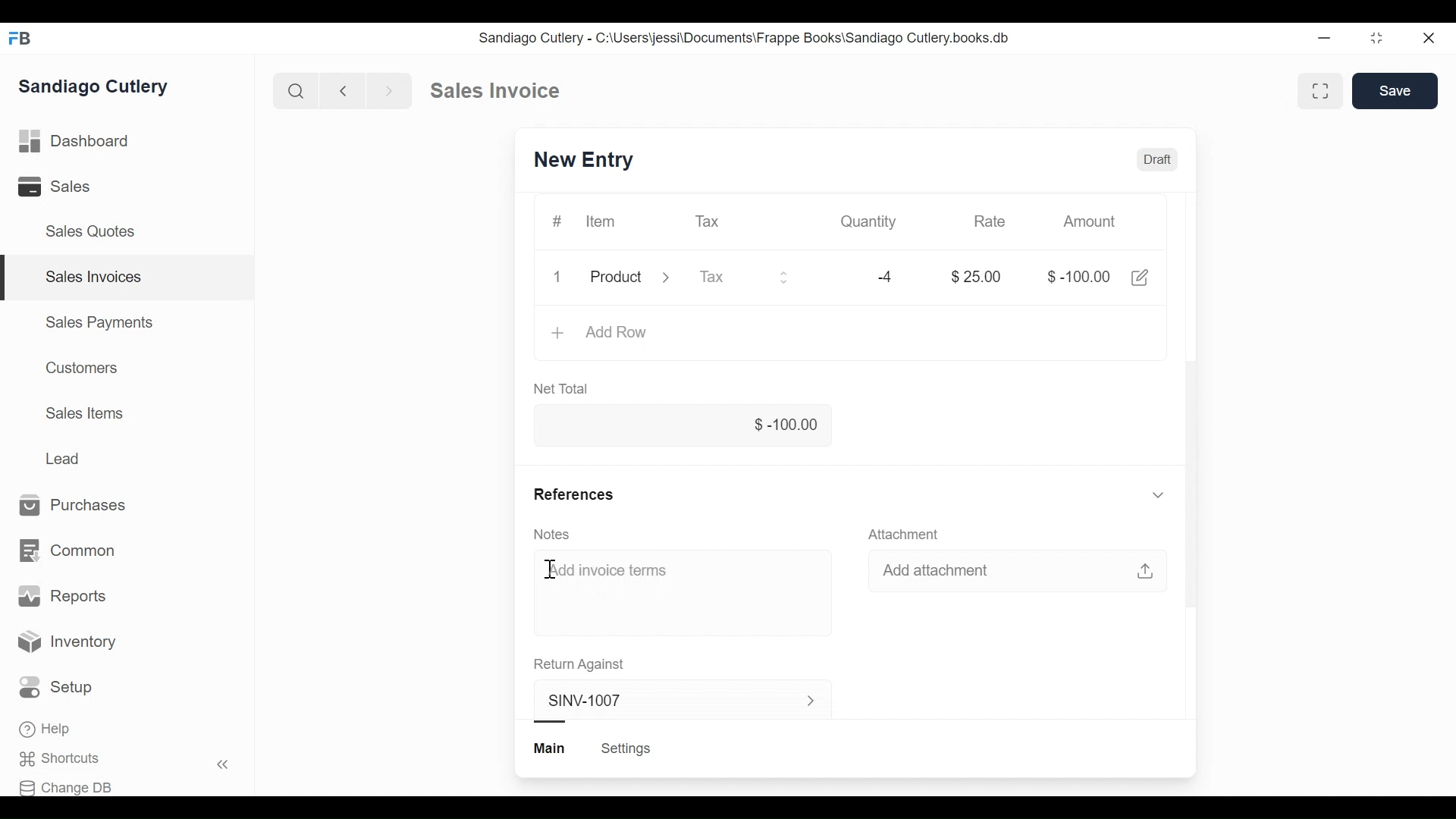 This screenshot has width=1456, height=819. I want to click on  Change DB, so click(67, 787).